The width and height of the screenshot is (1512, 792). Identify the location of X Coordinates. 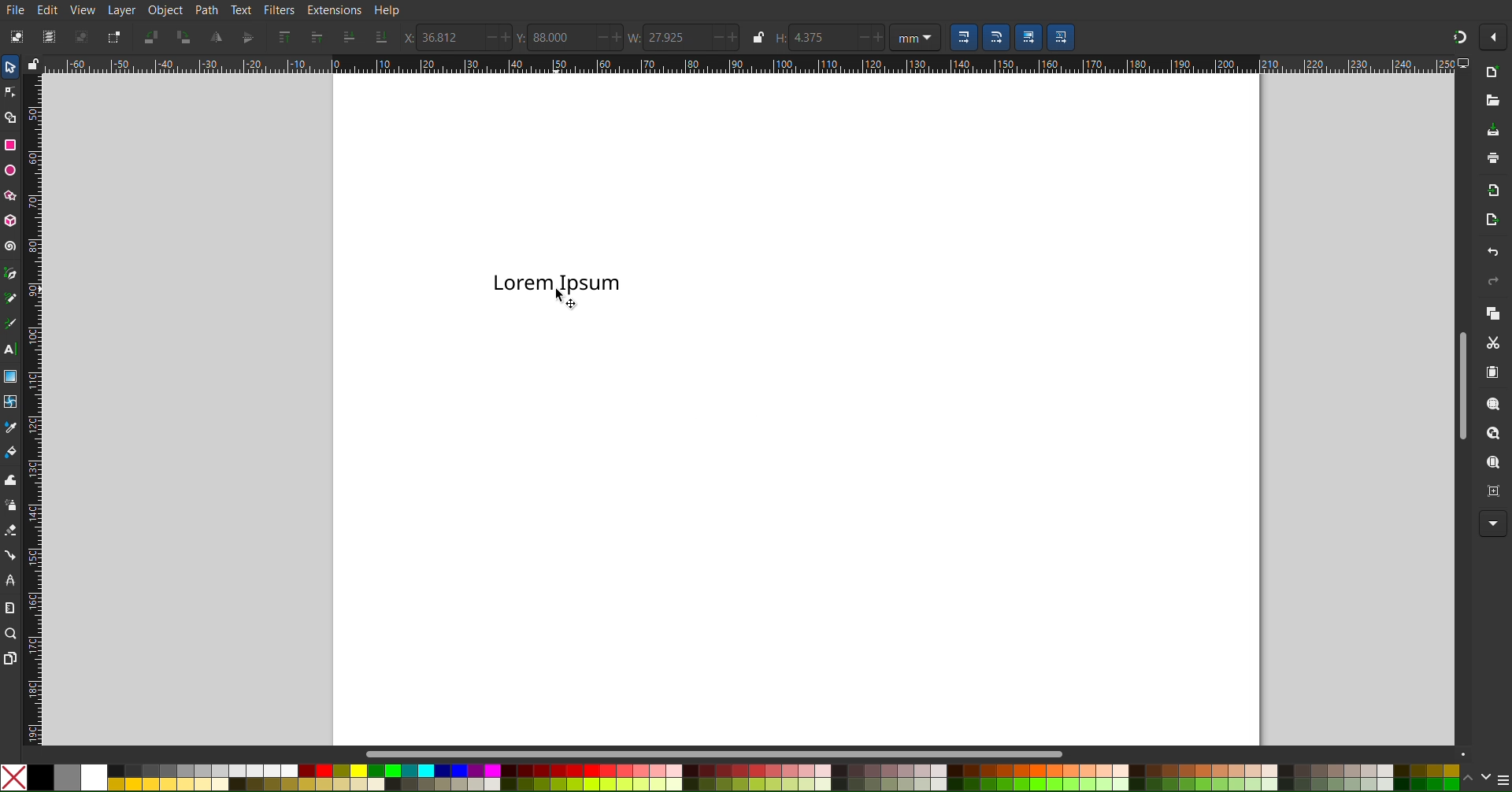
(405, 38).